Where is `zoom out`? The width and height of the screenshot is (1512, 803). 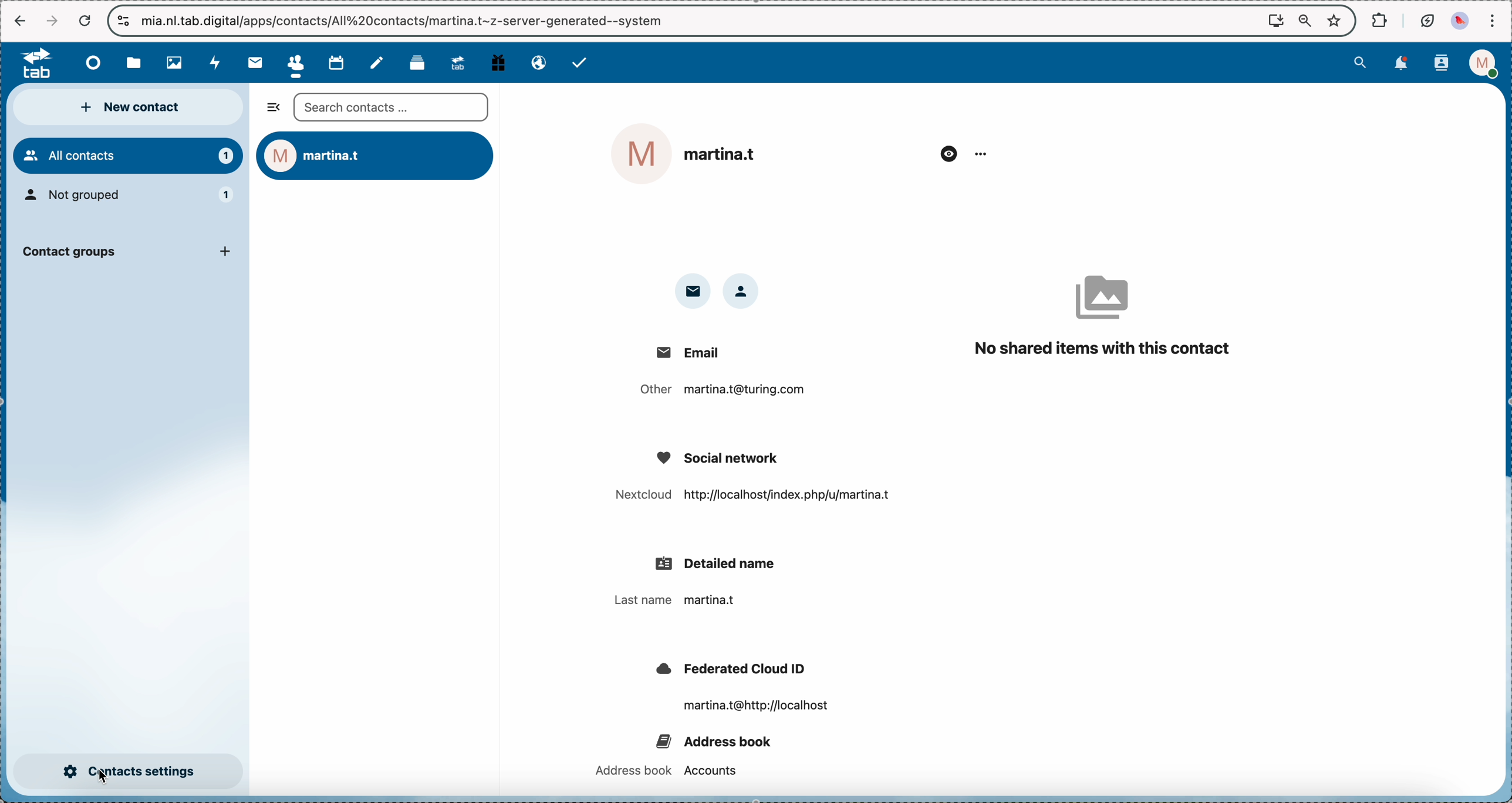 zoom out is located at coordinates (1304, 18).